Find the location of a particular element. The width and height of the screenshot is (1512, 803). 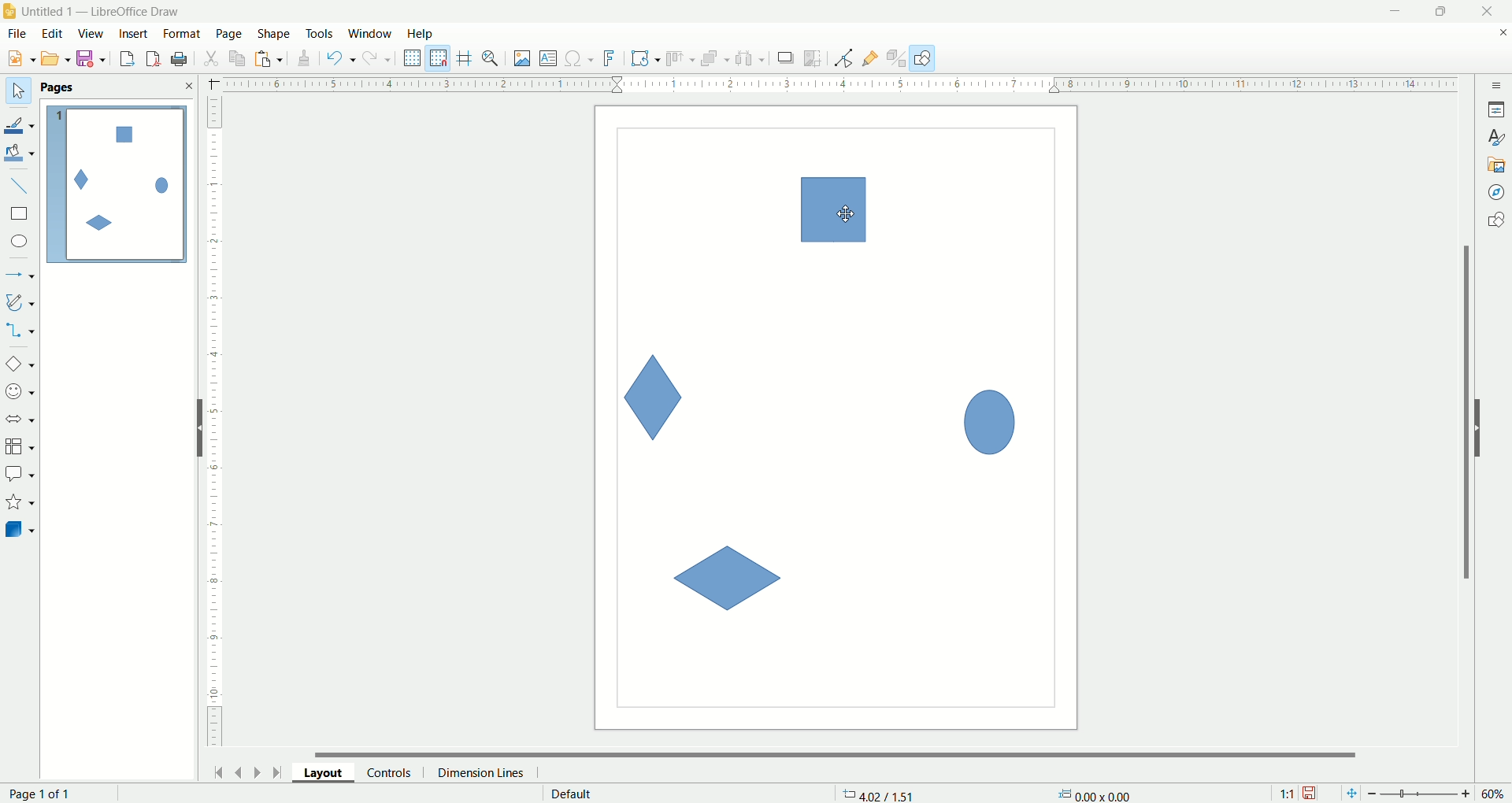

clone formatting is located at coordinates (305, 56).